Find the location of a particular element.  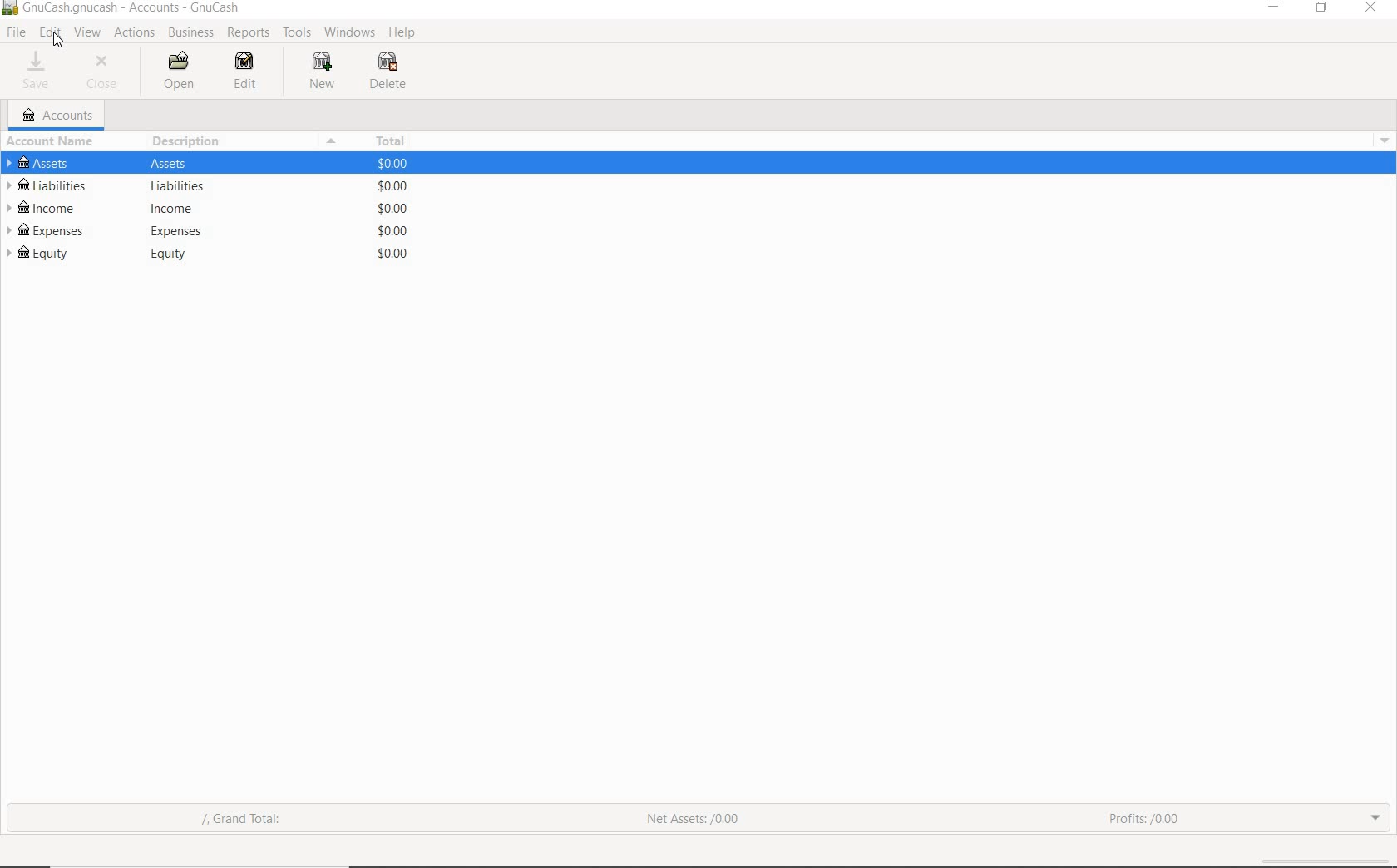

INCOME is located at coordinates (45, 209).